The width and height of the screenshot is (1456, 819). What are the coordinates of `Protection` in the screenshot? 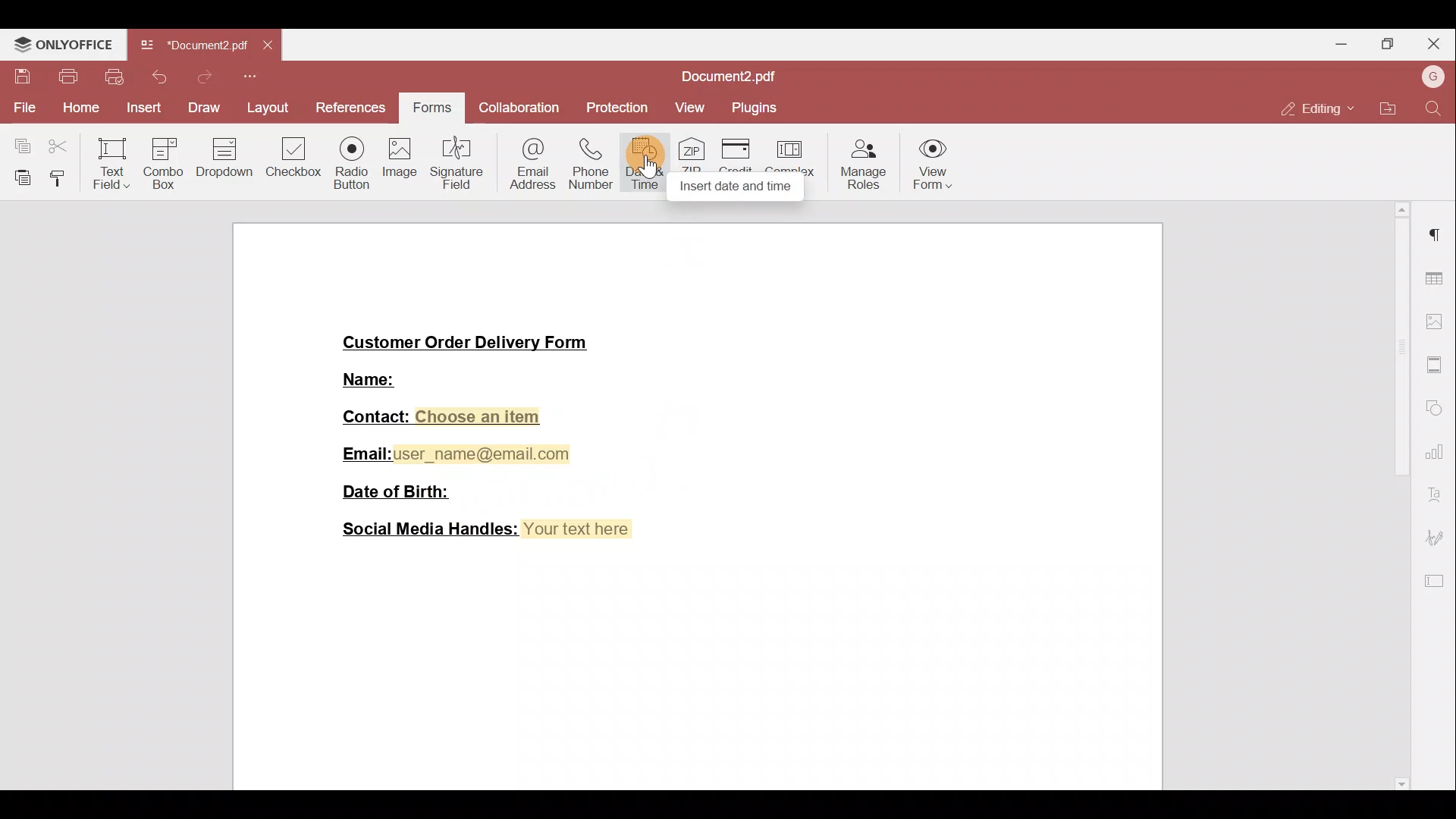 It's located at (622, 108).